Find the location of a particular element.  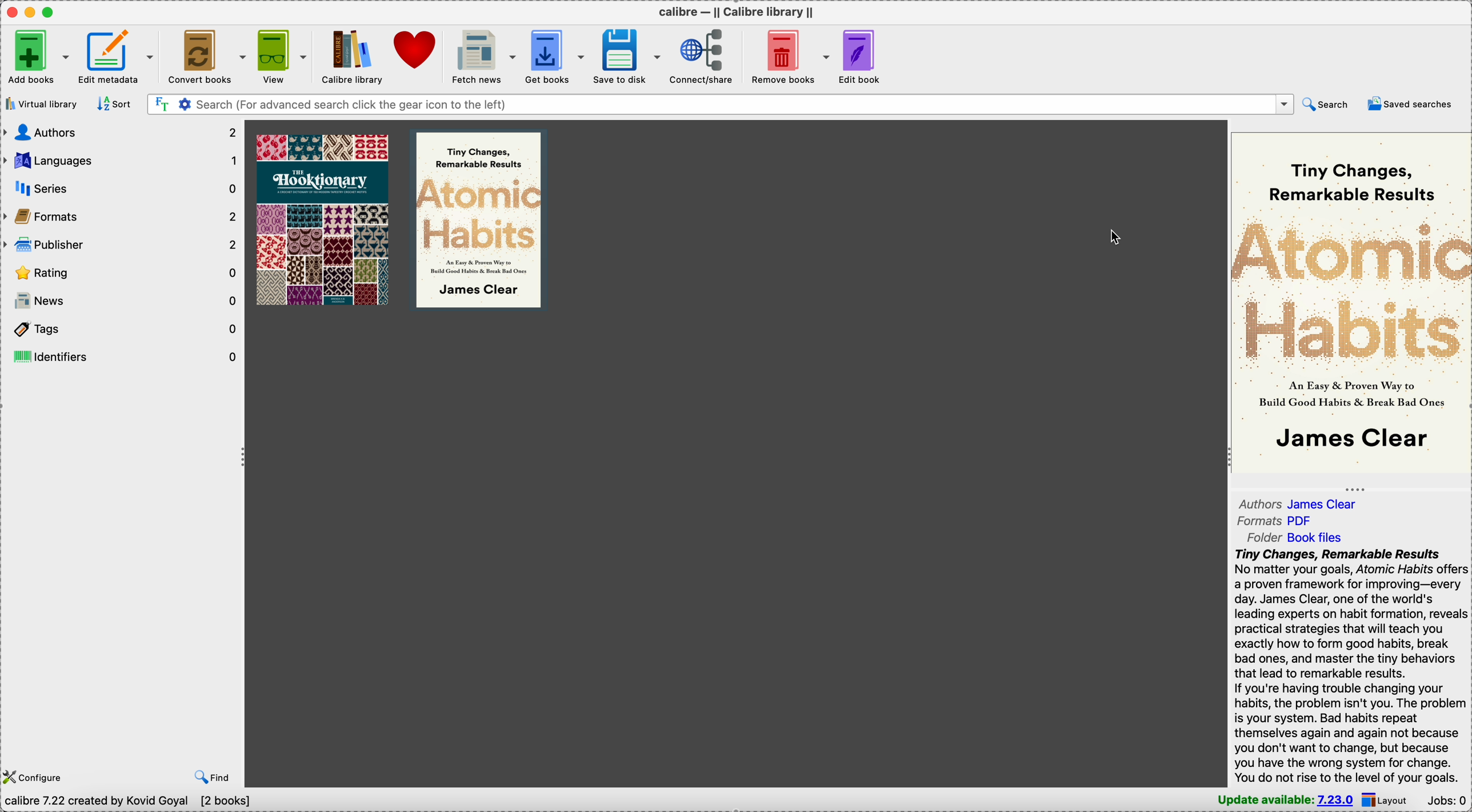

identifiers is located at coordinates (122, 355).